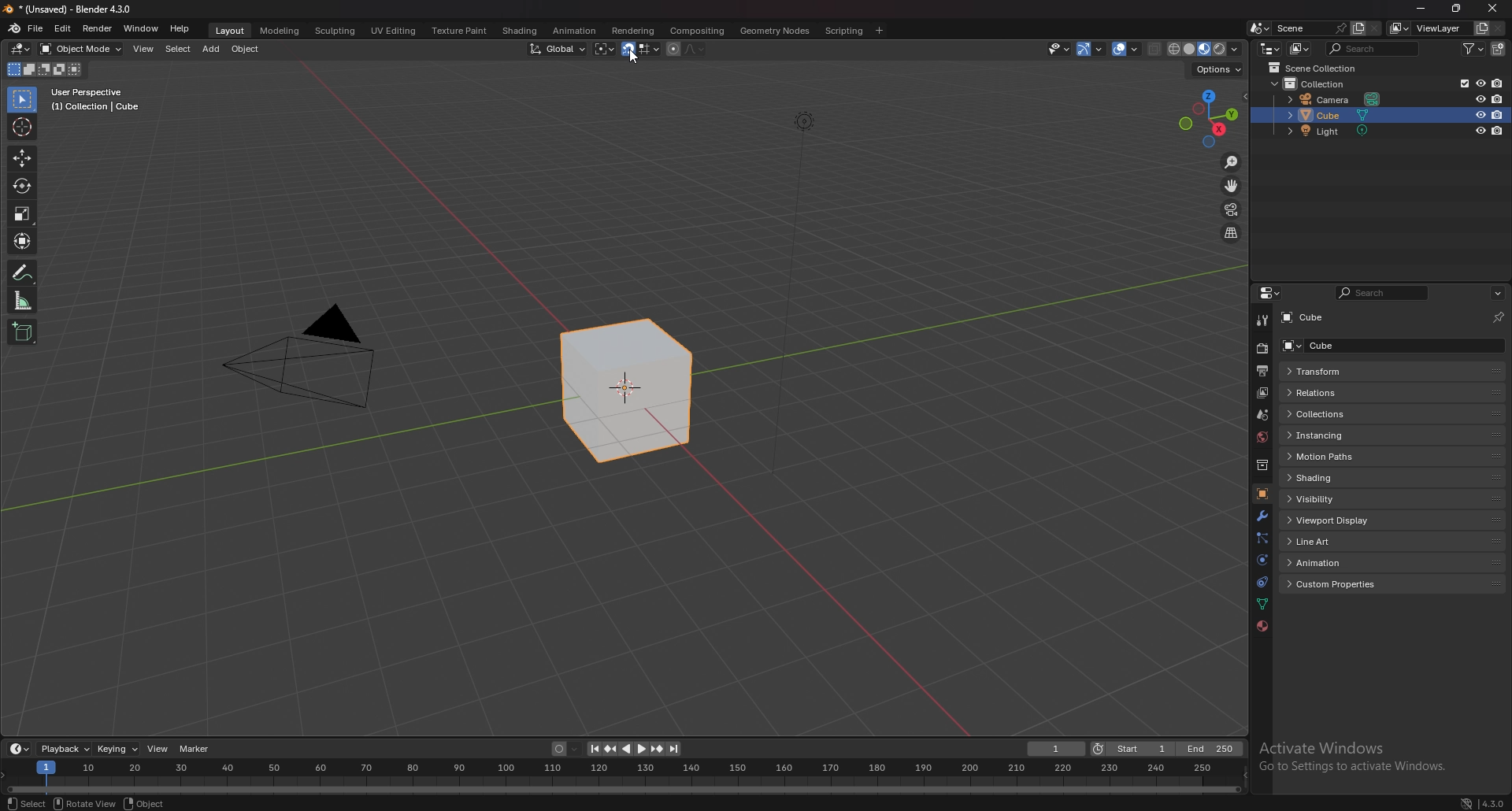  What do you see at coordinates (776, 30) in the screenshot?
I see `geometry nodes` at bounding box center [776, 30].